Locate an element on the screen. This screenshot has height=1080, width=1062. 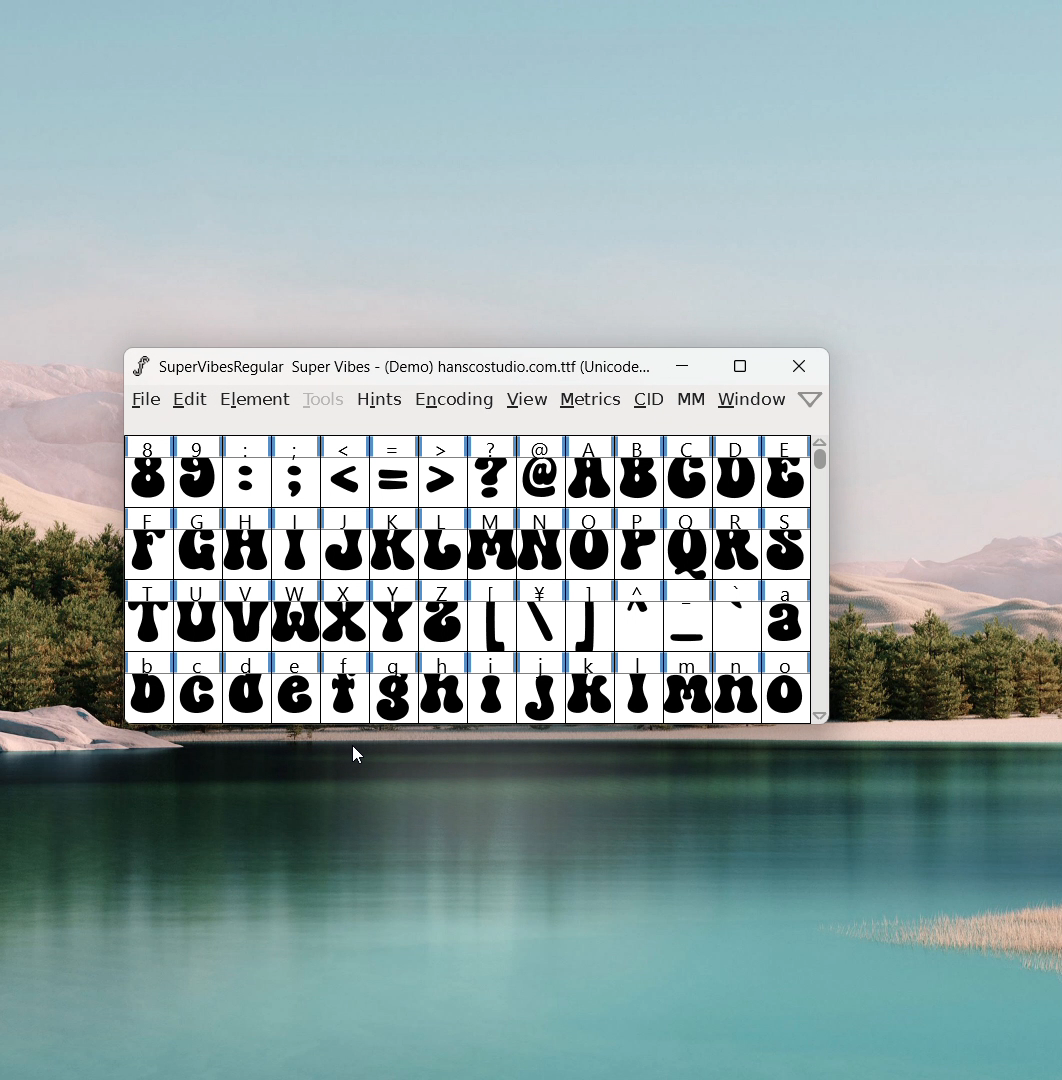
> is located at coordinates (444, 473).